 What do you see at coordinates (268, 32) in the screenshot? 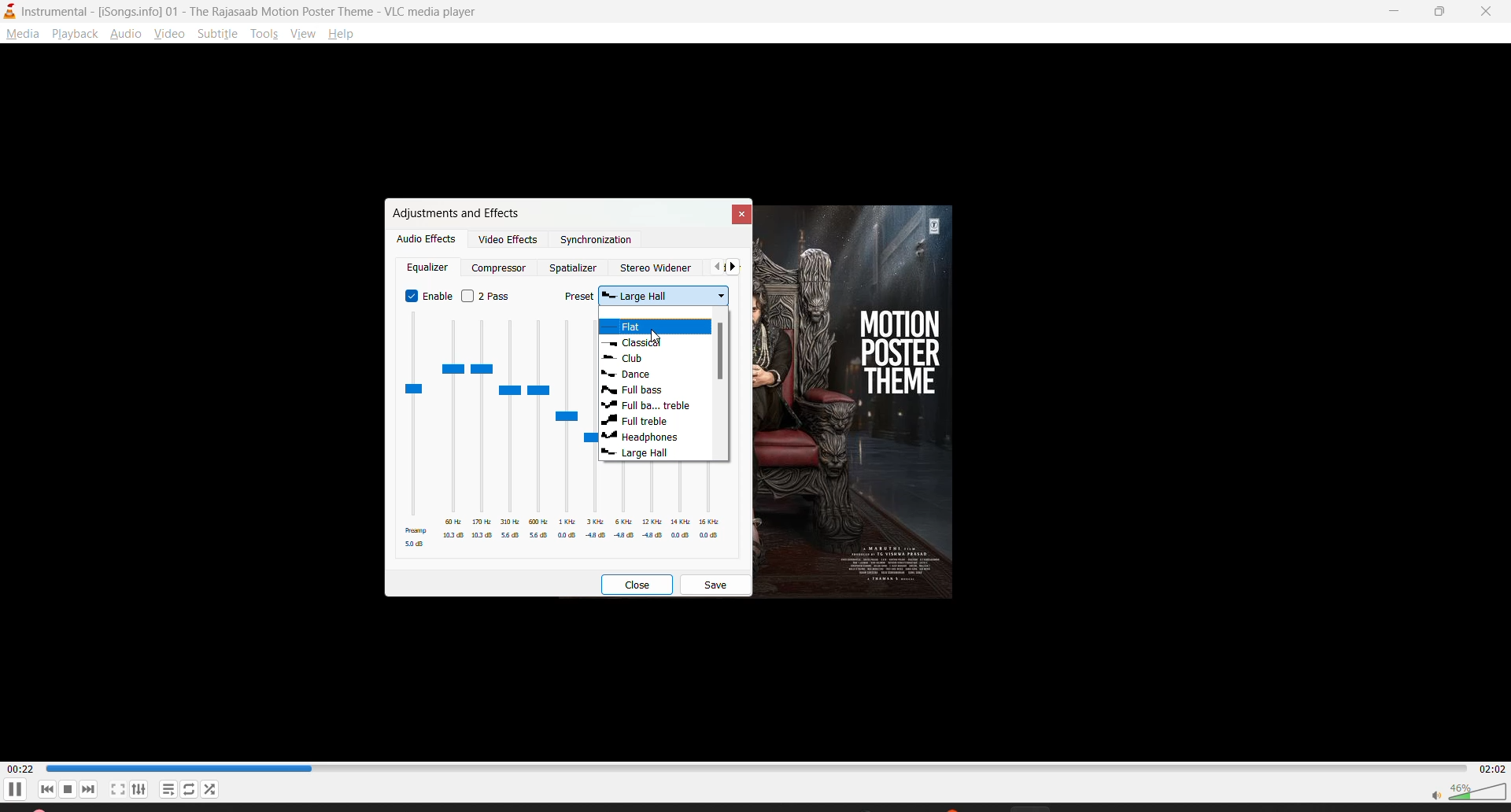
I see `tools` at bounding box center [268, 32].